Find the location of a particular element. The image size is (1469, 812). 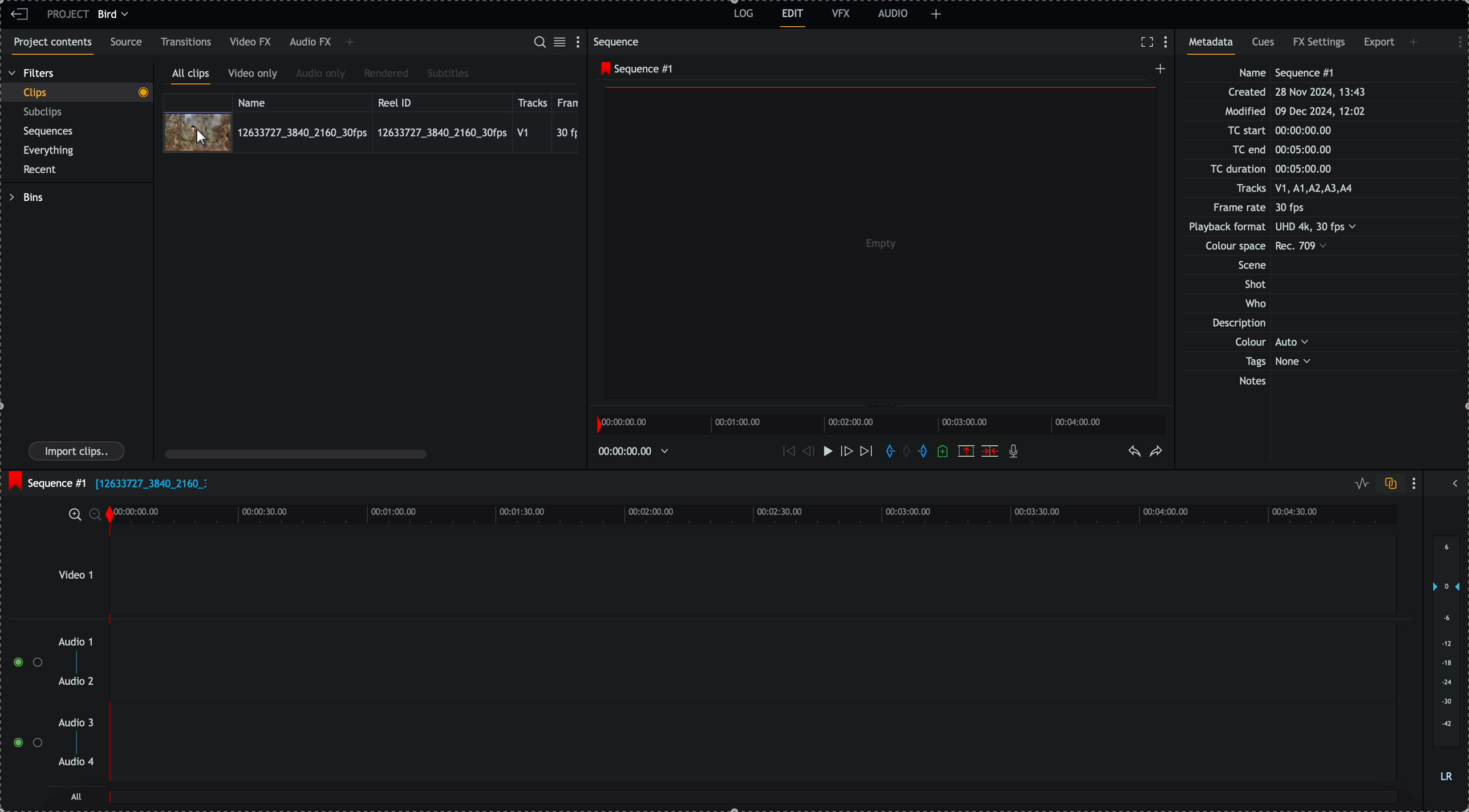

show/hide full audio mix is located at coordinates (1454, 482).